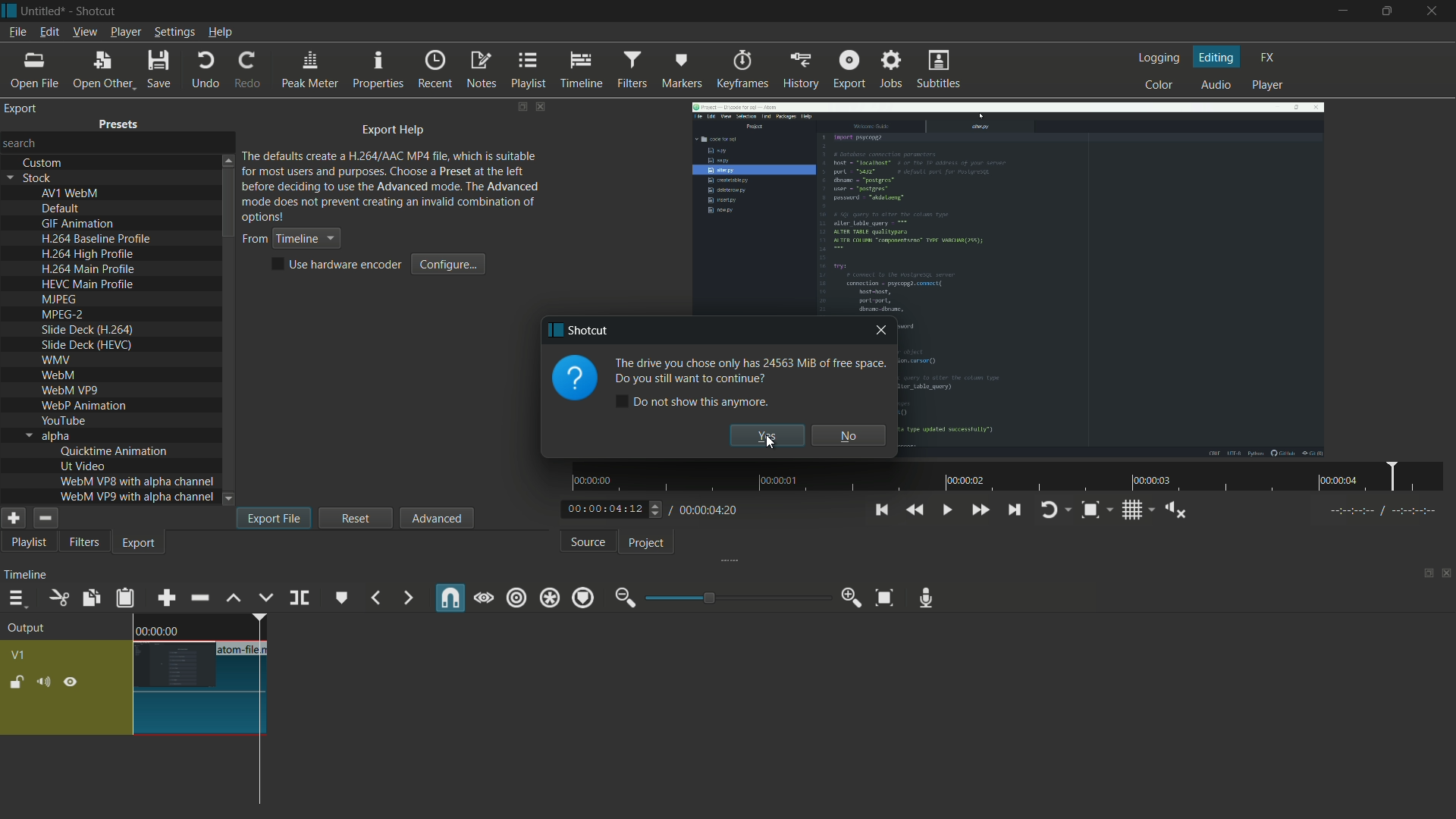 This screenshot has width=1456, height=819. Describe the element at coordinates (228, 205) in the screenshot. I see `scroll bar` at that location.